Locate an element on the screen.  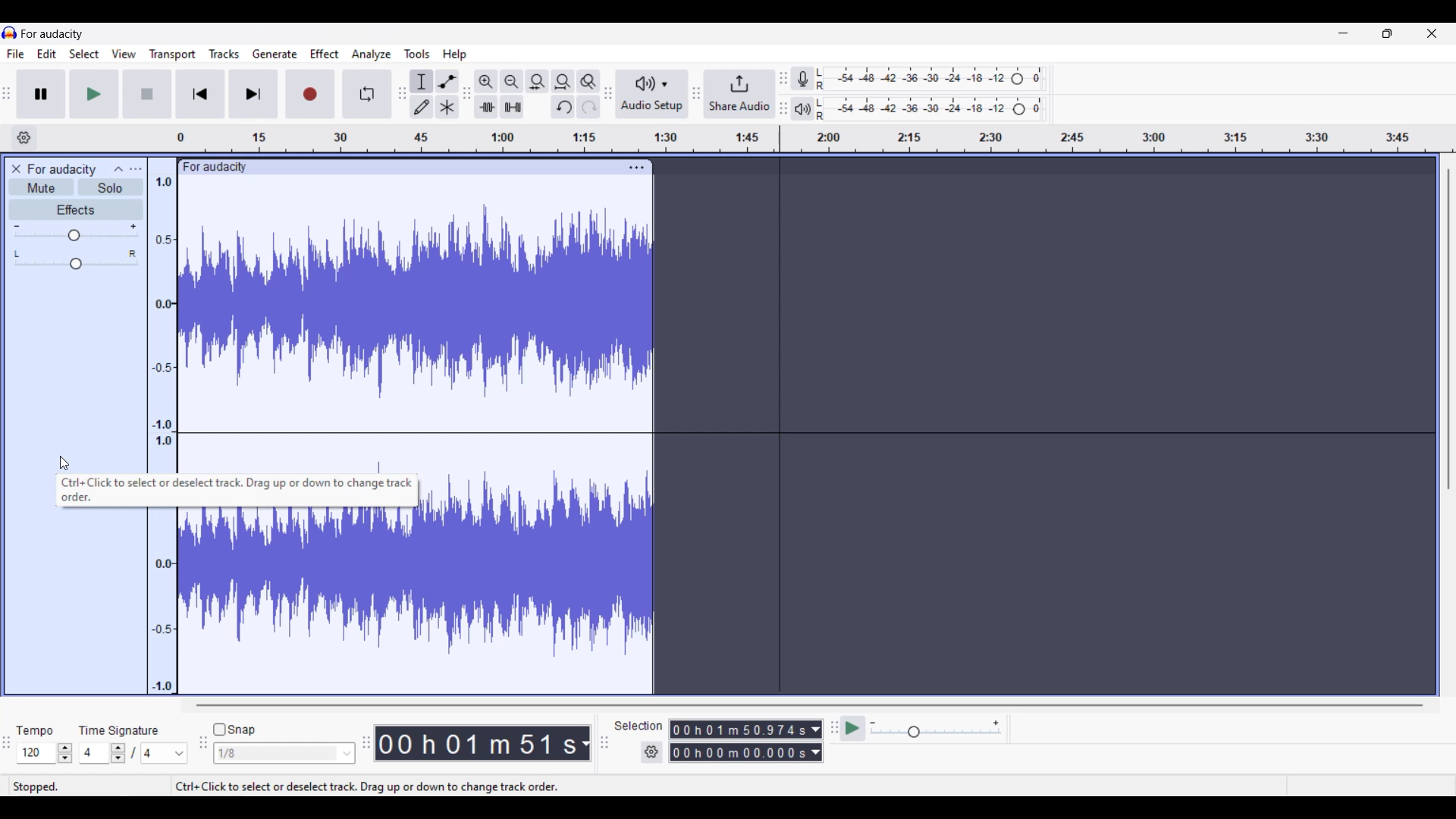
track waveform is located at coordinates (539, 563).